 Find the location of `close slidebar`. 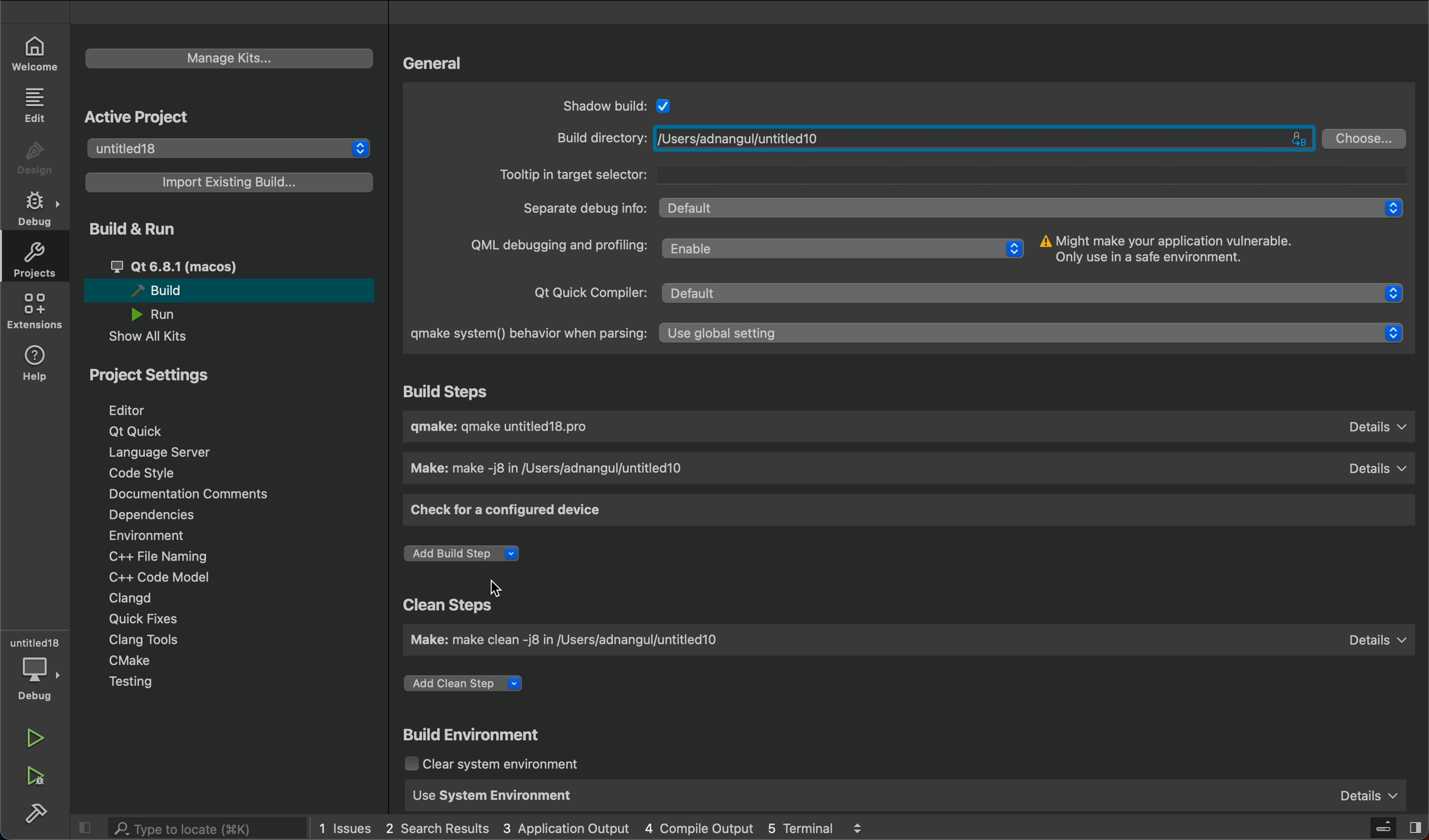

close slidebar is located at coordinates (1384, 828).